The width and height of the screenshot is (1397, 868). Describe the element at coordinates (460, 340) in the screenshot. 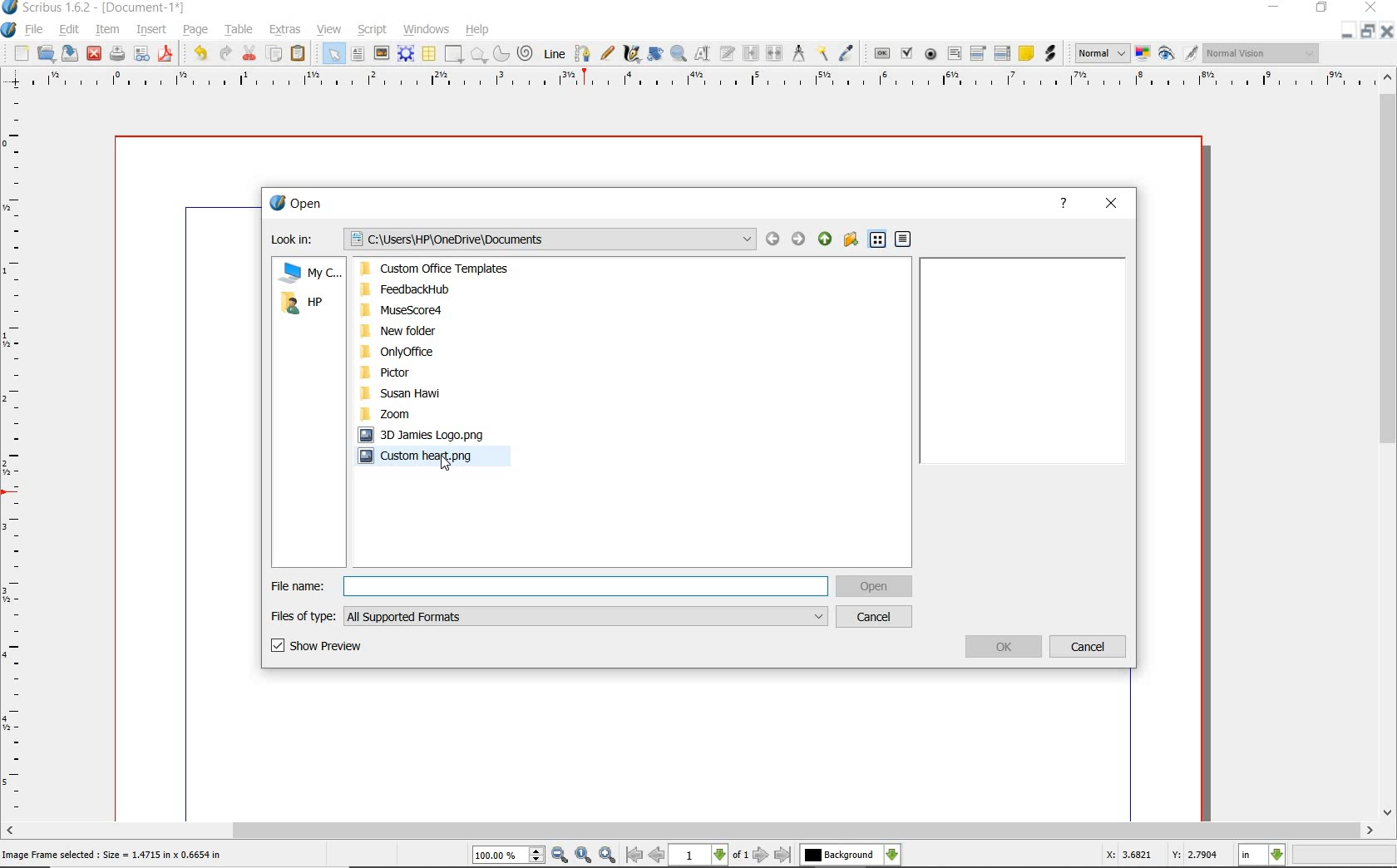

I see `PC Folders` at that location.